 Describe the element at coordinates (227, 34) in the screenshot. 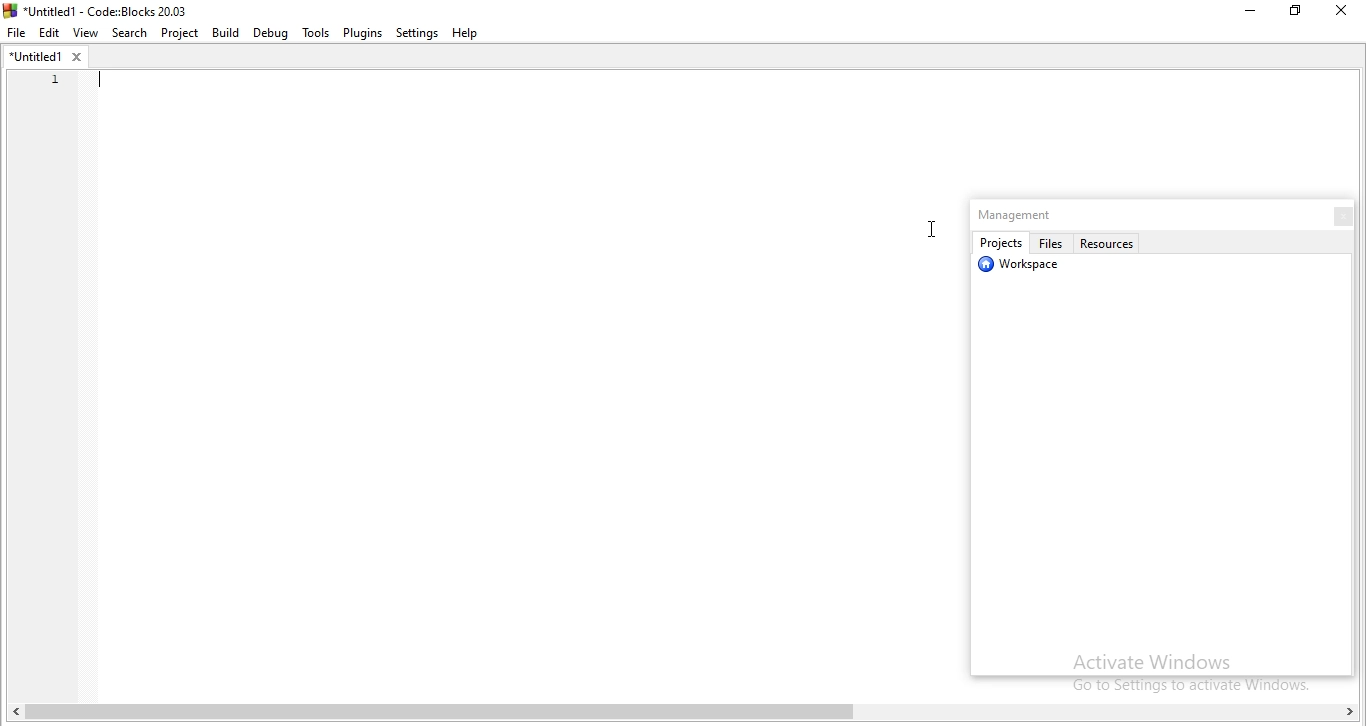

I see `Build ` at that location.